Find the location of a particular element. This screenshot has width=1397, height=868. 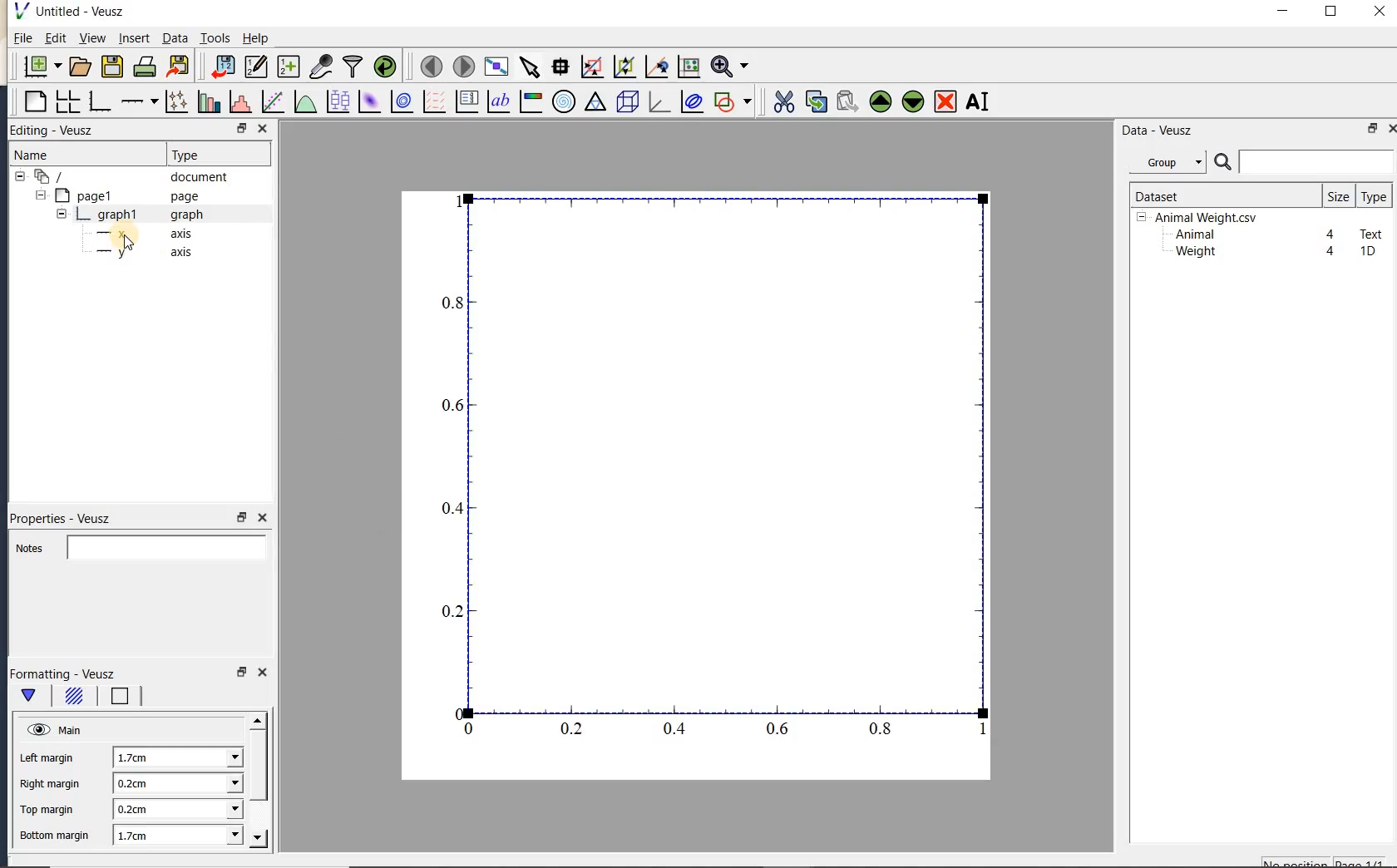

close is located at coordinates (263, 673).